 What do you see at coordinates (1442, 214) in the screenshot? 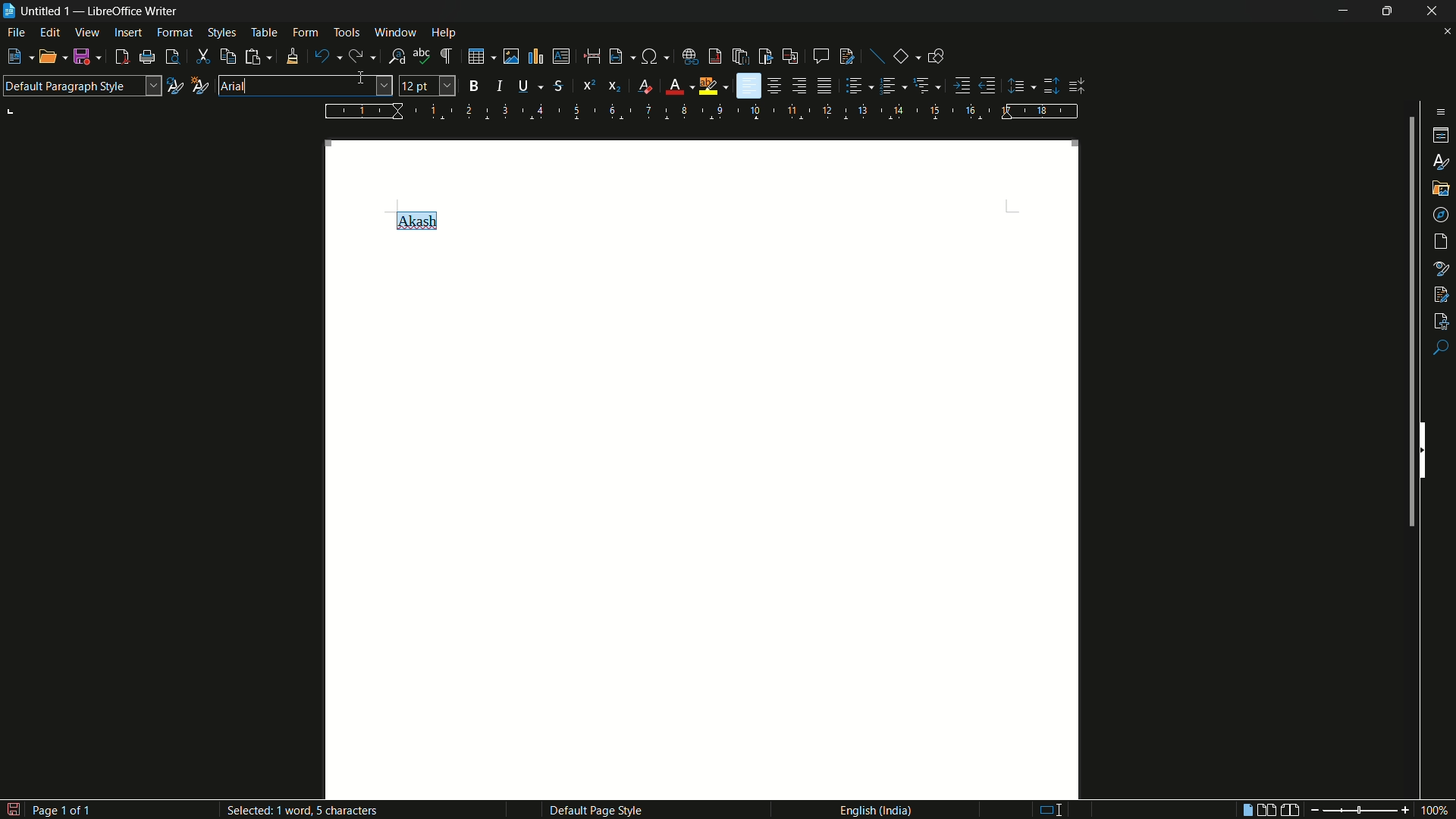
I see `navigator` at bounding box center [1442, 214].